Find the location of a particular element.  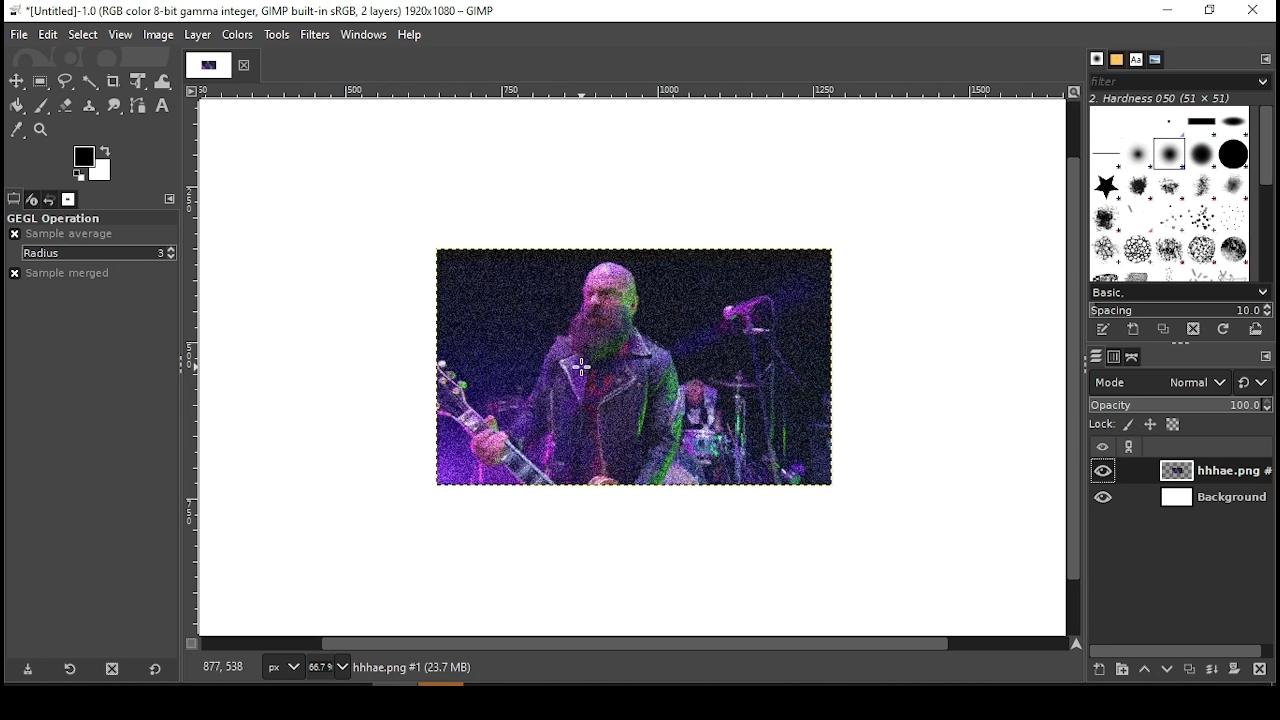

hhhae.png#1 (23.7 mb) is located at coordinates (415, 667).